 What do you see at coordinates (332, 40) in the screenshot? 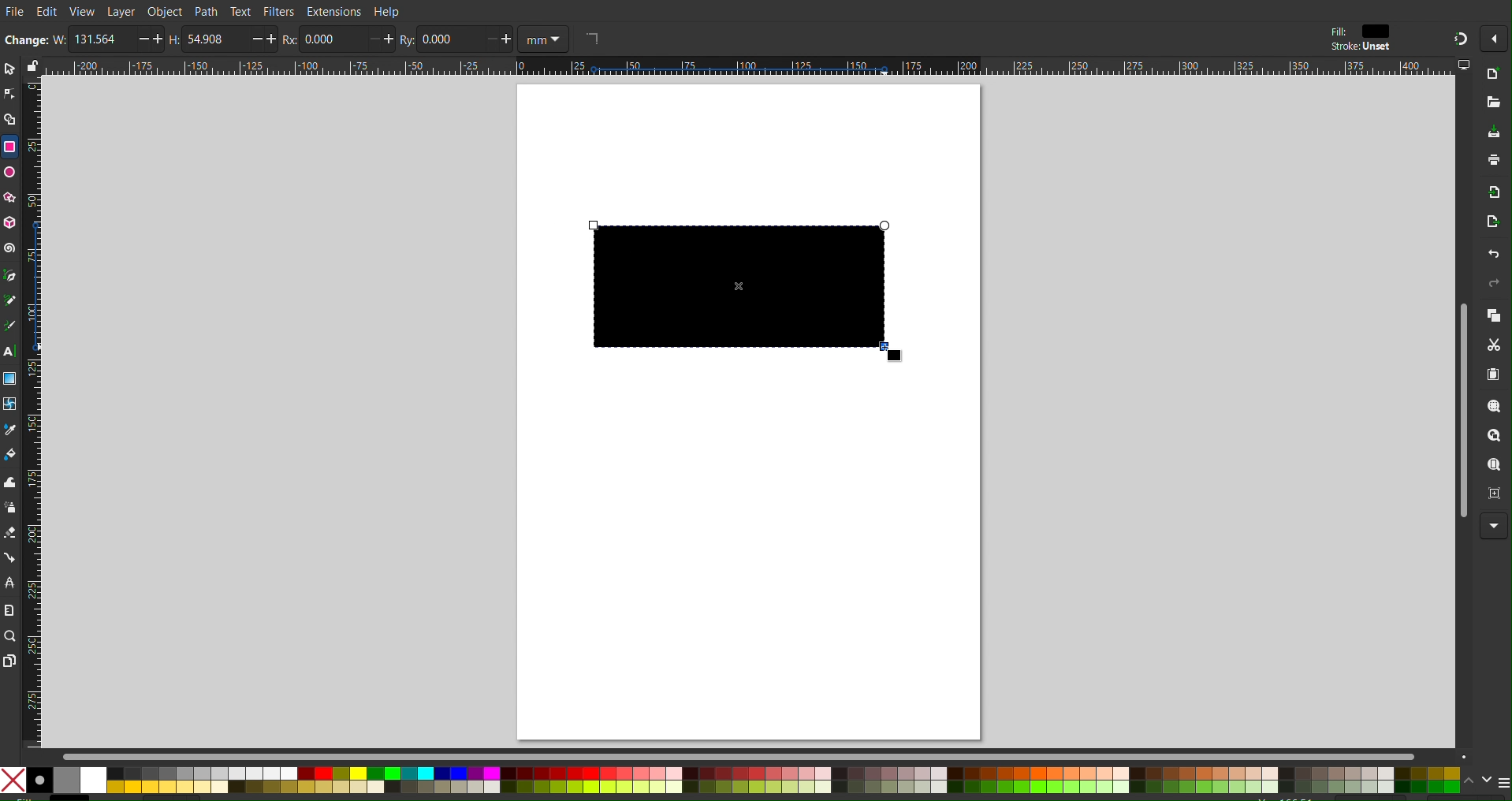
I see `0.000` at bounding box center [332, 40].